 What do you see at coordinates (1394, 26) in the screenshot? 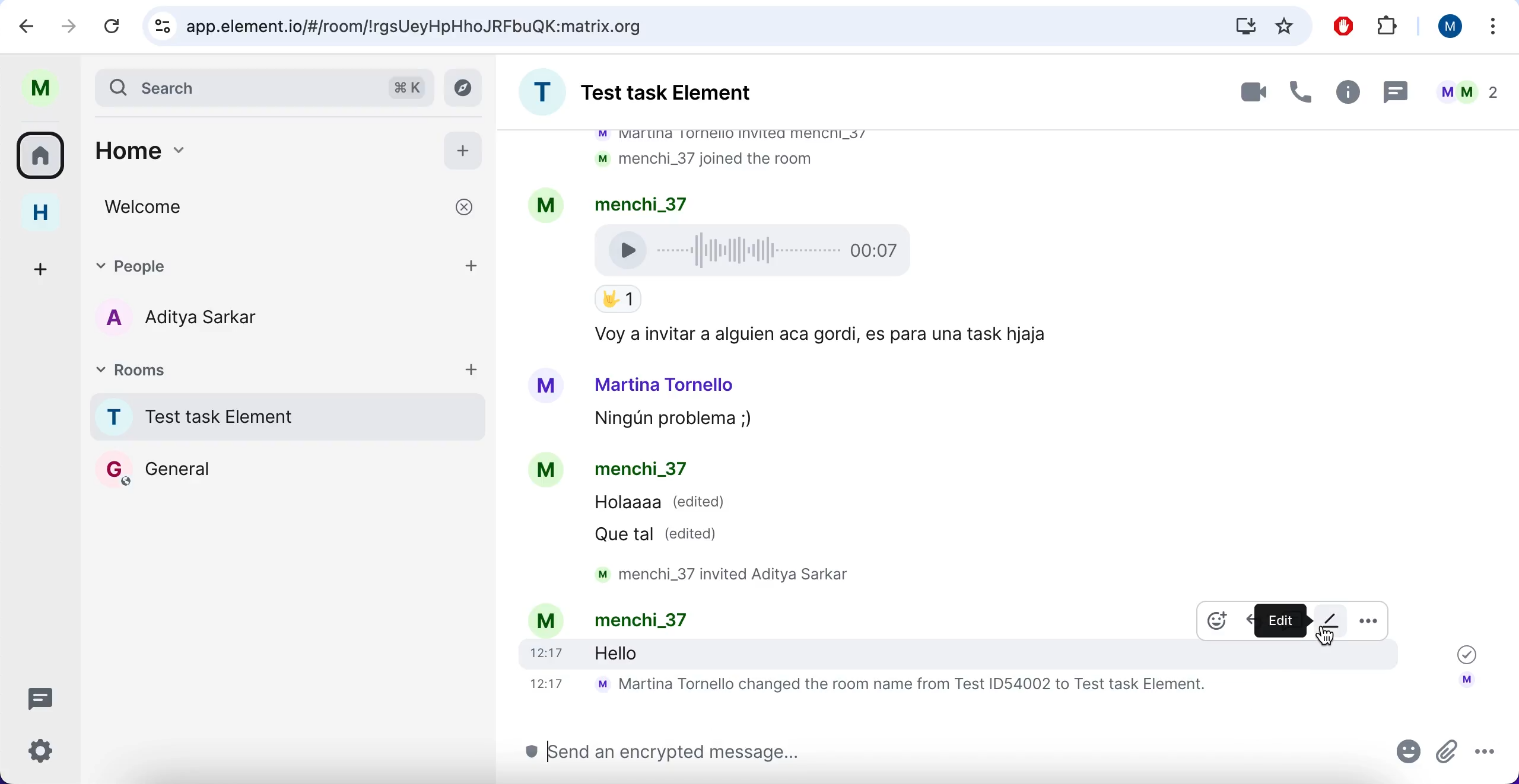
I see `extensions` at bounding box center [1394, 26].